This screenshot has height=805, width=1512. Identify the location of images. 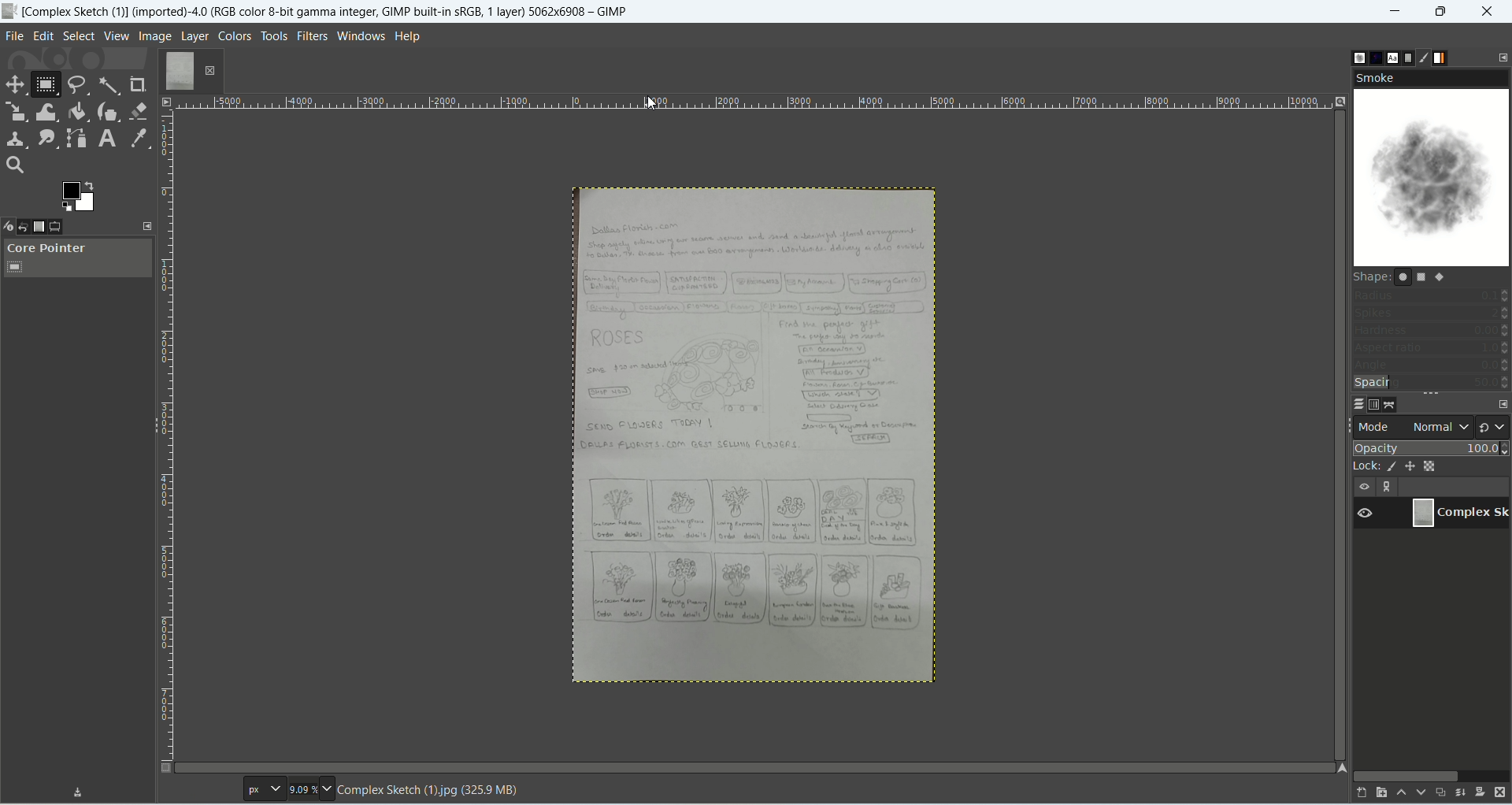
(42, 226).